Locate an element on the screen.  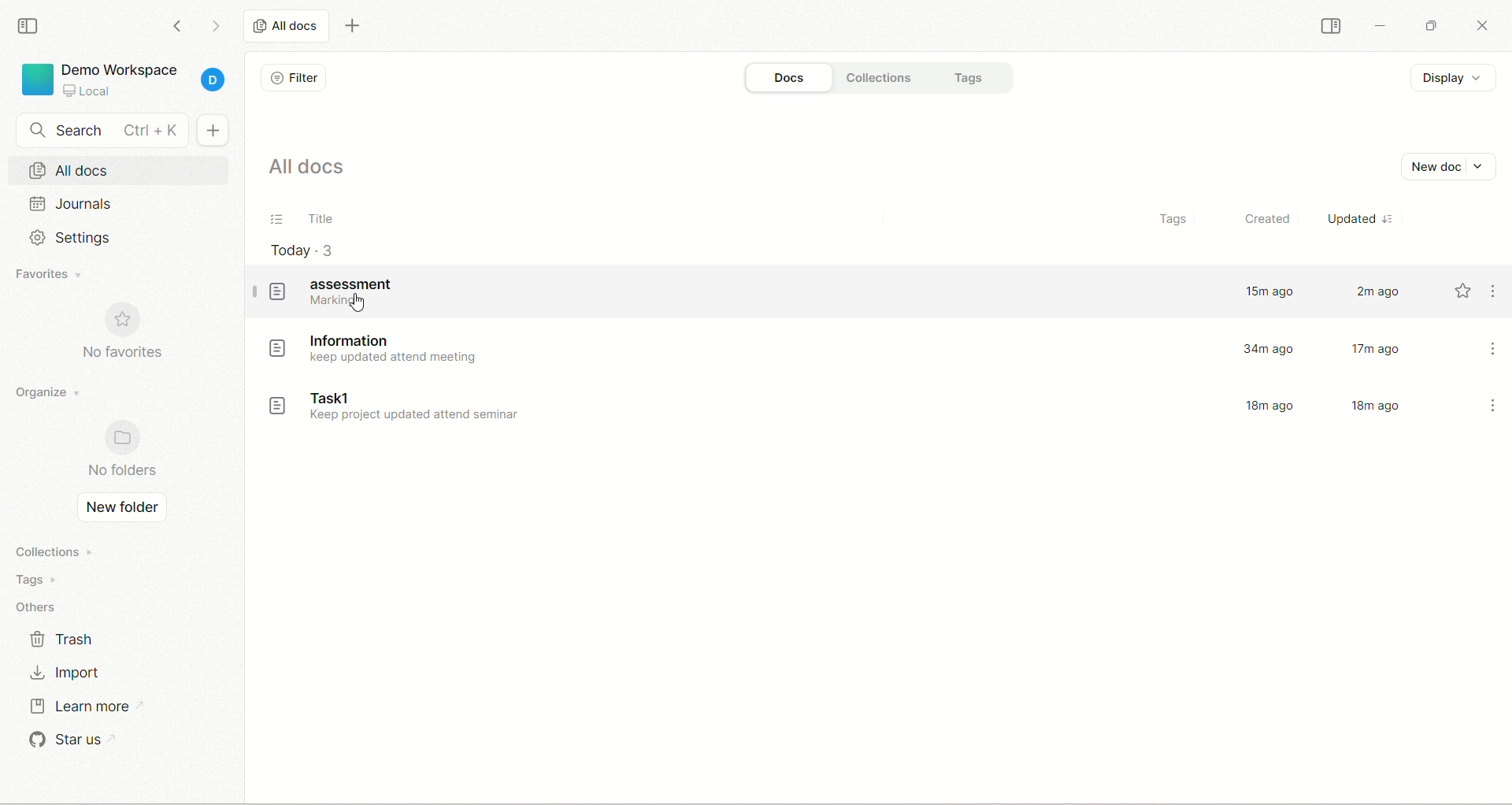
favorites is located at coordinates (1462, 292).